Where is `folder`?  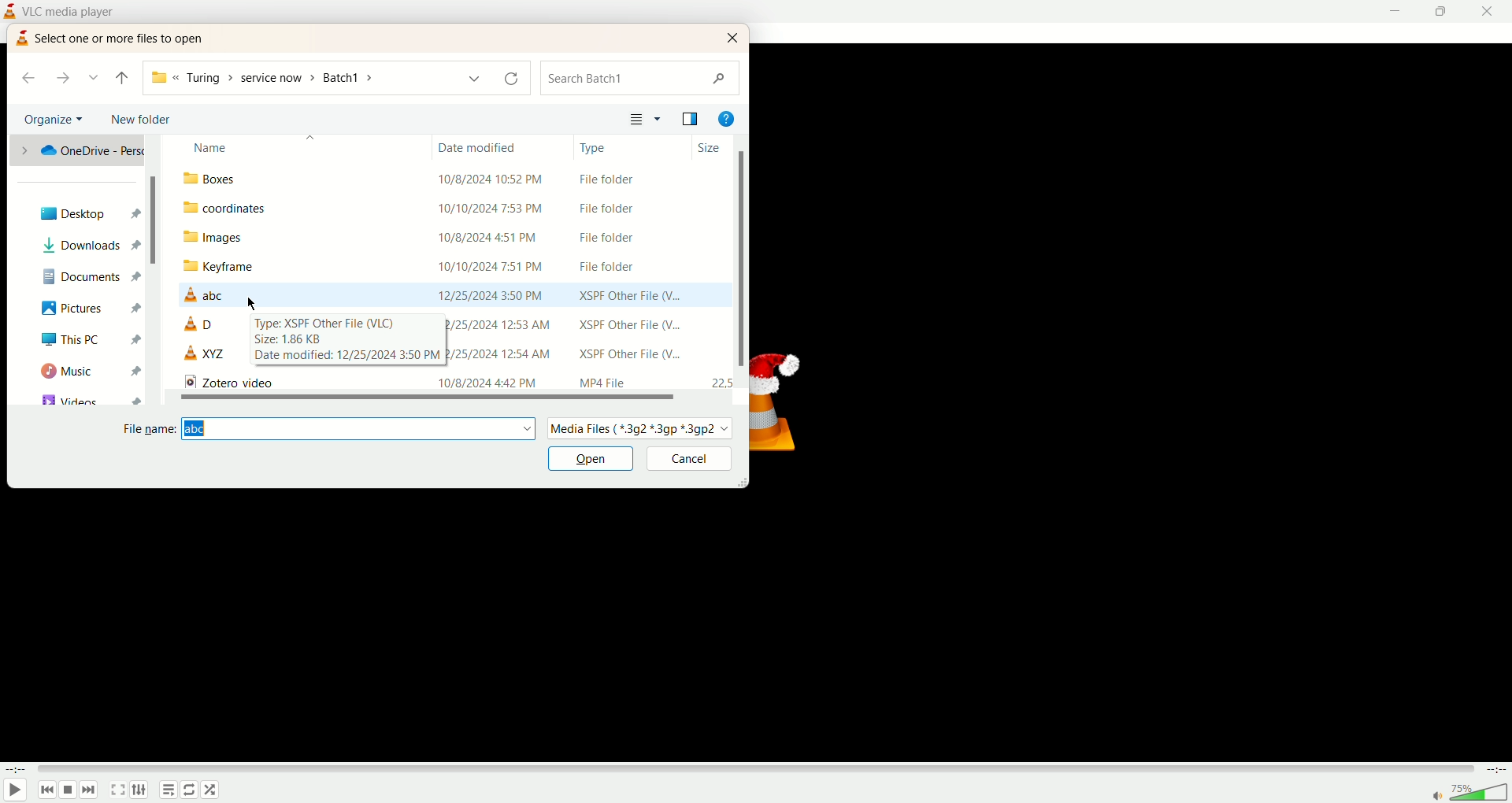
folder is located at coordinates (449, 267).